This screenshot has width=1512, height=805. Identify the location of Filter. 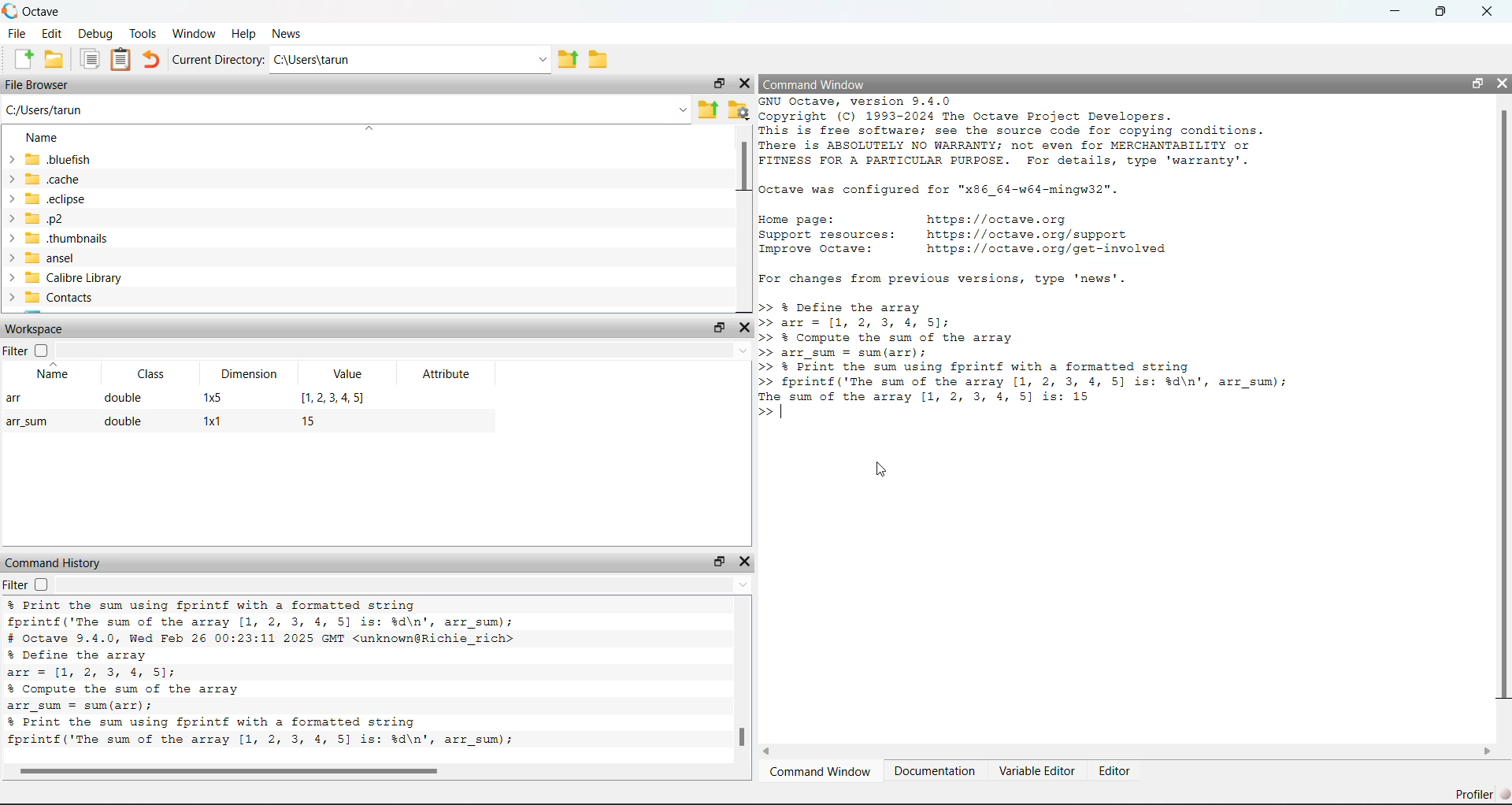
(16, 351).